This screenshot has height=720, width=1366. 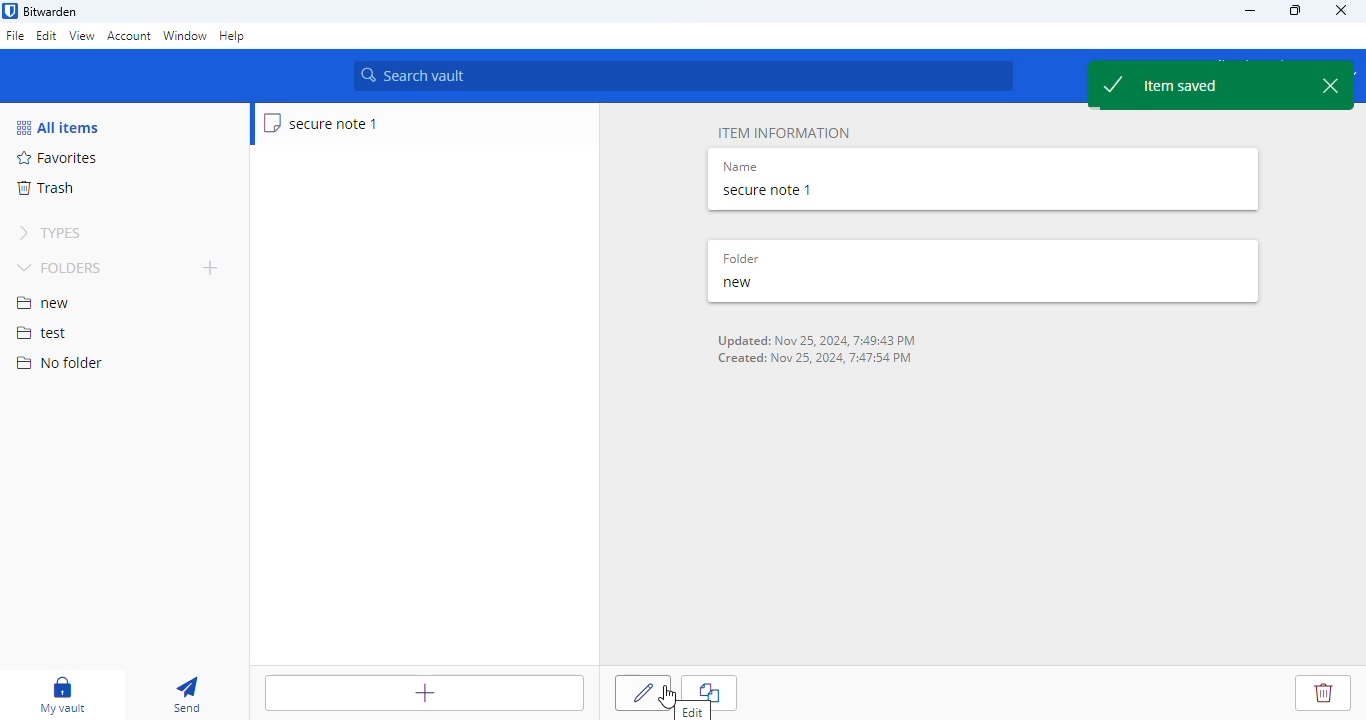 What do you see at coordinates (768, 191) in the screenshot?
I see `secure note 1` at bounding box center [768, 191].